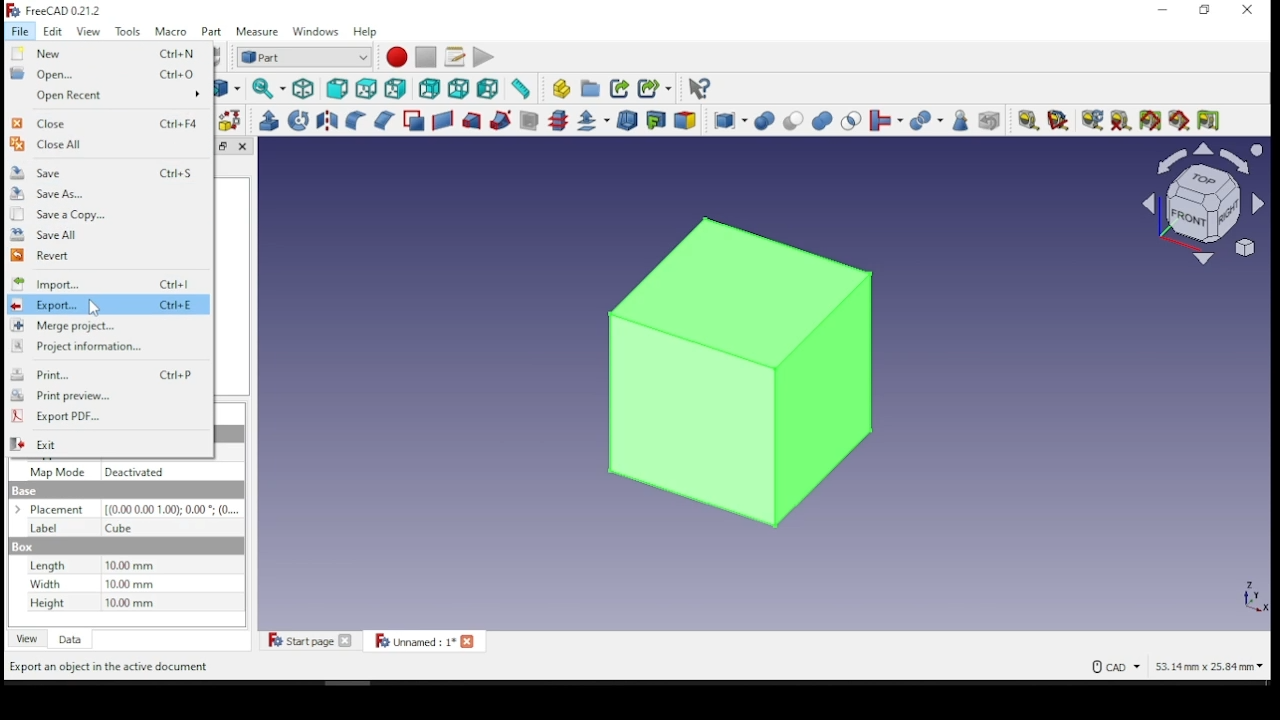  What do you see at coordinates (47, 584) in the screenshot?
I see `Width` at bounding box center [47, 584].